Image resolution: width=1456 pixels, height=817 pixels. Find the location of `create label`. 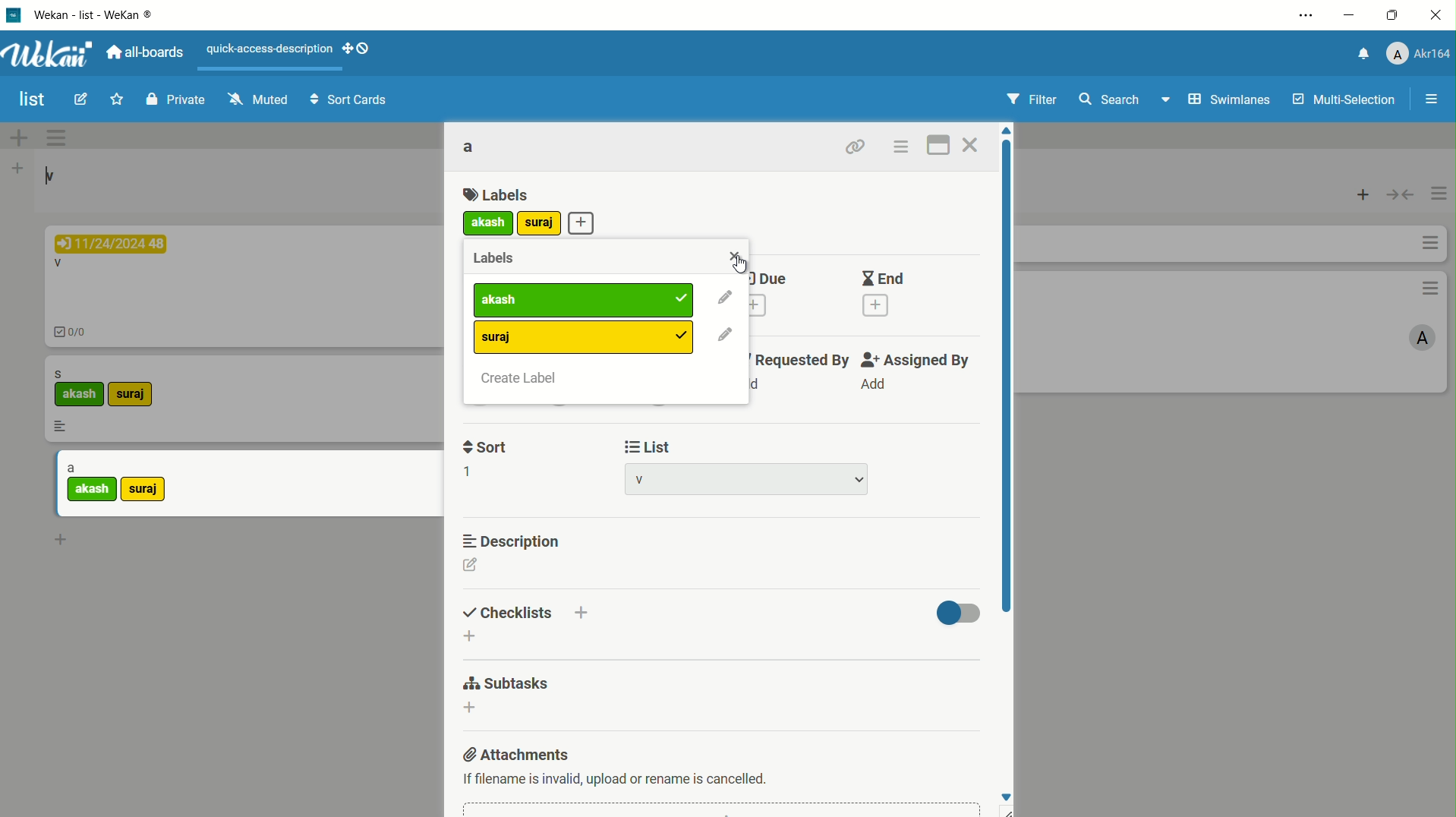

create label is located at coordinates (518, 377).